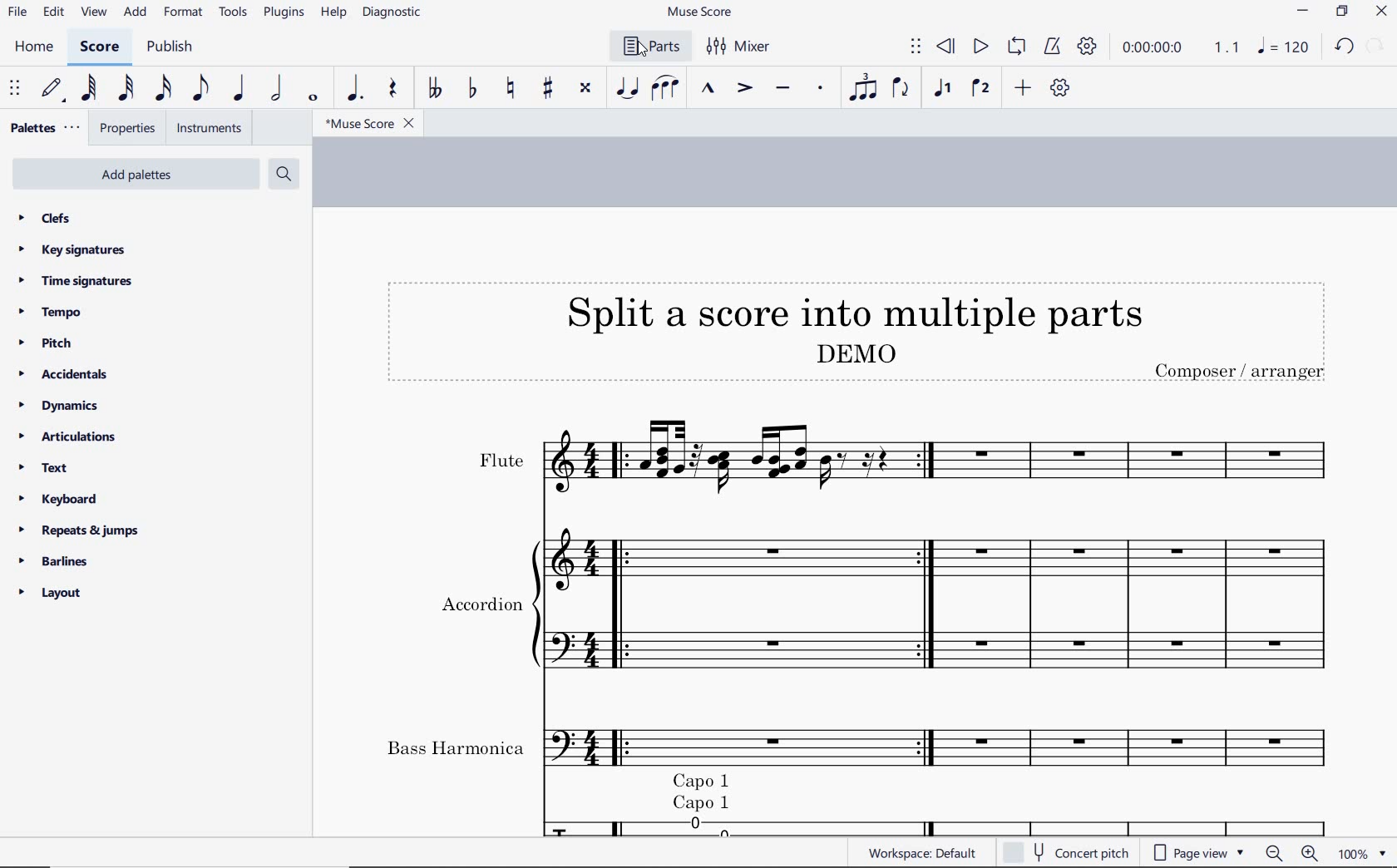 This screenshot has width=1397, height=868. Describe the element at coordinates (946, 47) in the screenshot. I see `rewind` at that location.